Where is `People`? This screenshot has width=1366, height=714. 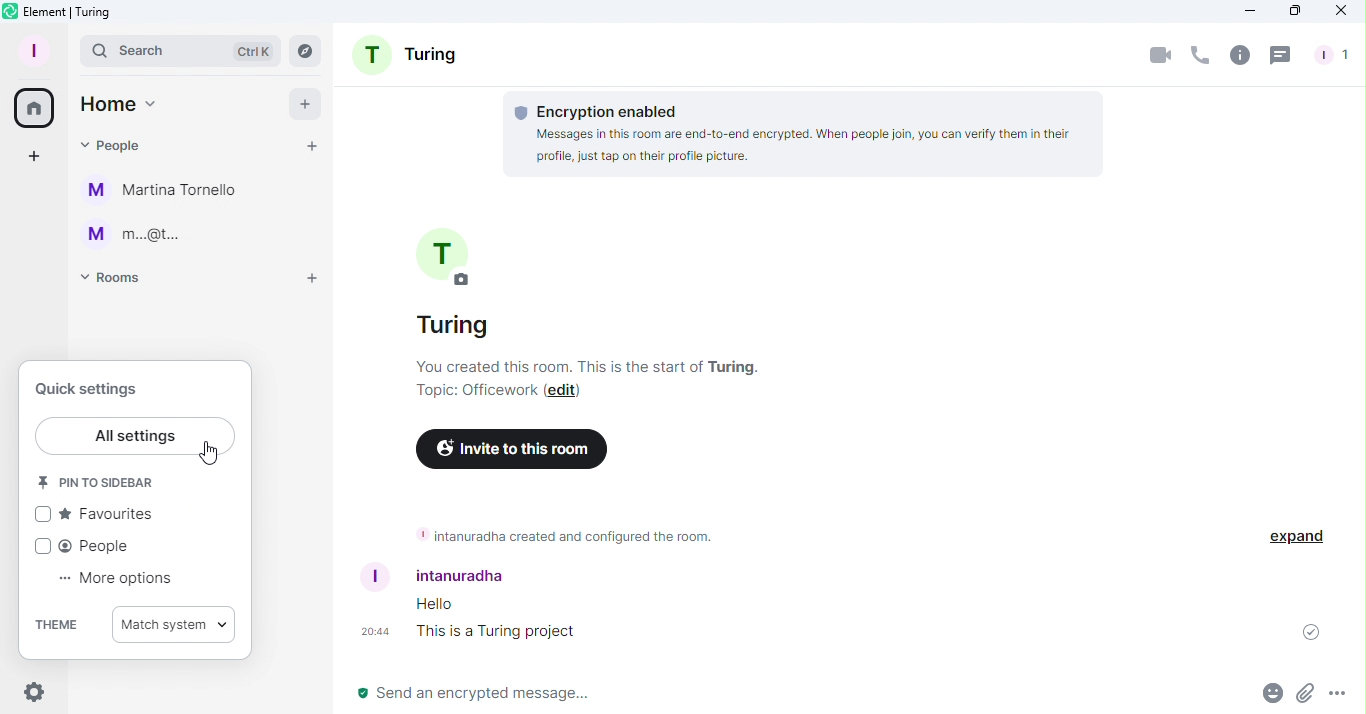
People is located at coordinates (1337, 52).